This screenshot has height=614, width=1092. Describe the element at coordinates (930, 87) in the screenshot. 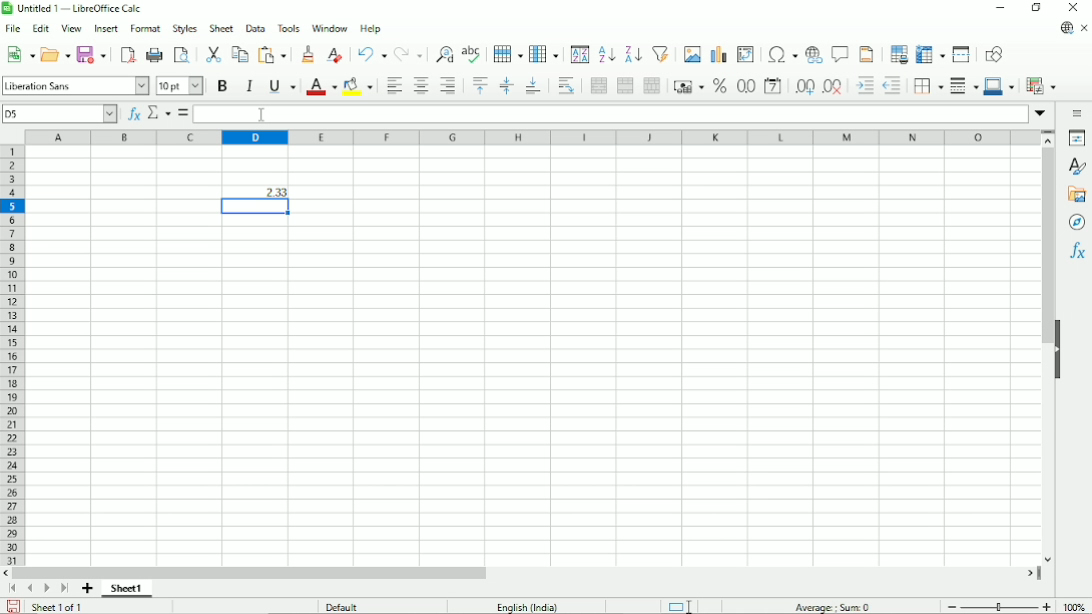

I see `Borders` at that location.